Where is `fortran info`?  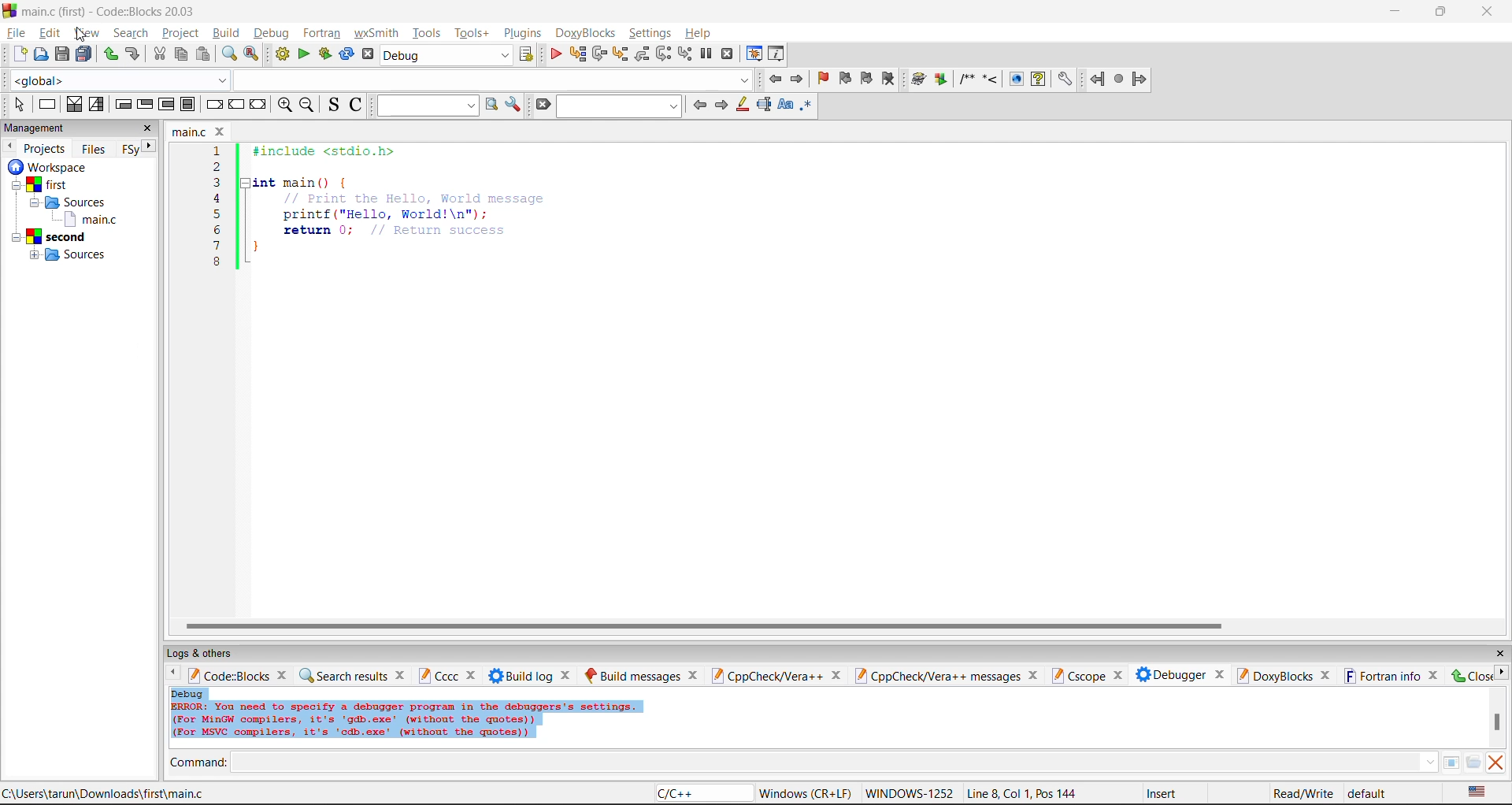 fortran info is located at coordinates (1391, 676).